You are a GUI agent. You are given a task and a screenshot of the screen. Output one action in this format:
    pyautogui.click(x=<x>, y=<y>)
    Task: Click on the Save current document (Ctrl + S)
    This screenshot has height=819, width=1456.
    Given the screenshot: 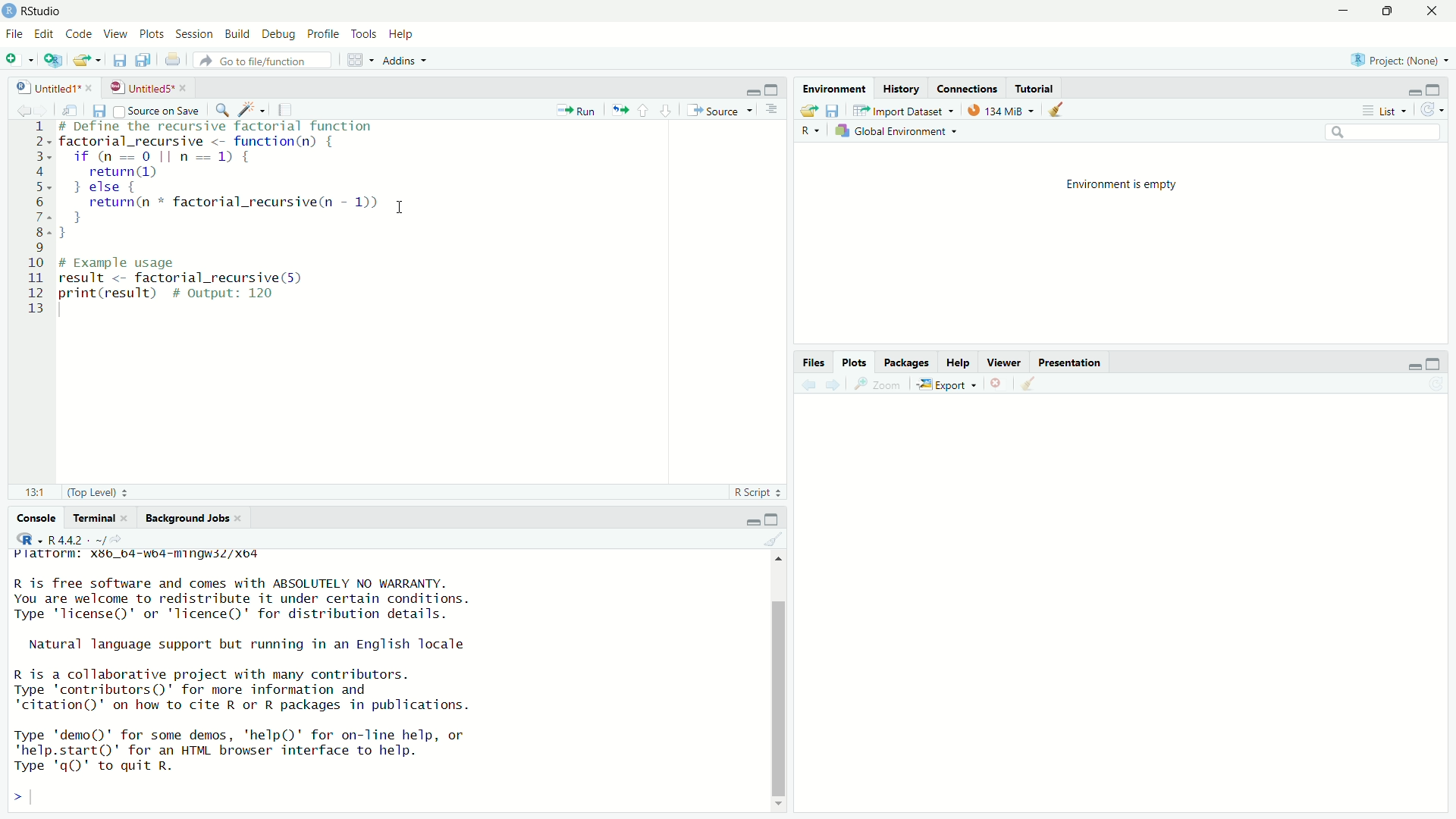 What is the action you would take?
    pyautogui.click(x=121, y=61)
    